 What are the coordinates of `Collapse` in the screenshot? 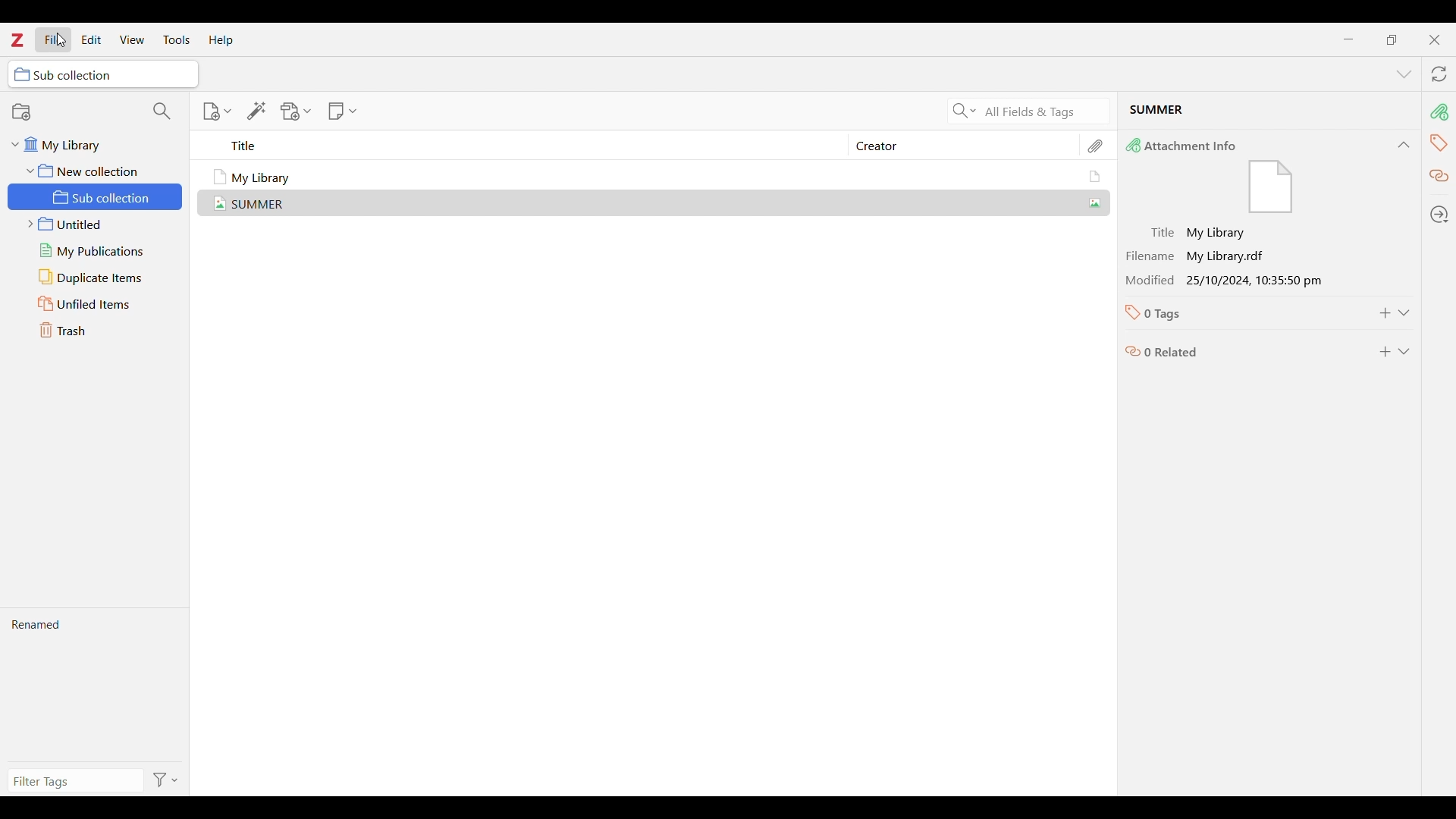 It's located at (1404, 145).